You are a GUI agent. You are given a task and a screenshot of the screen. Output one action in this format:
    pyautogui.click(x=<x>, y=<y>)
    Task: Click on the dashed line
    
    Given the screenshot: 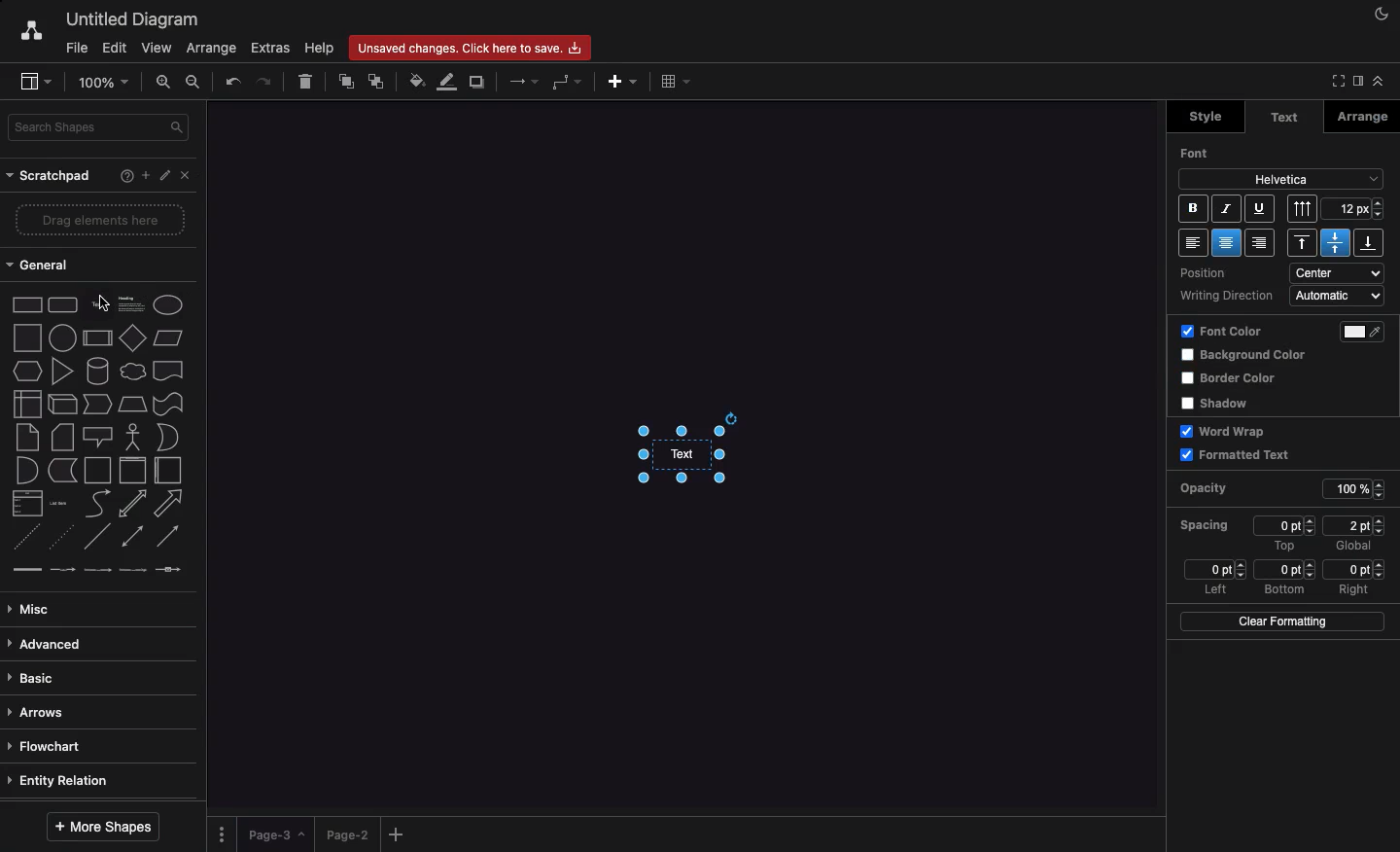 What is the action you would take?
    pyautogui.click(x=25, y=537)
    